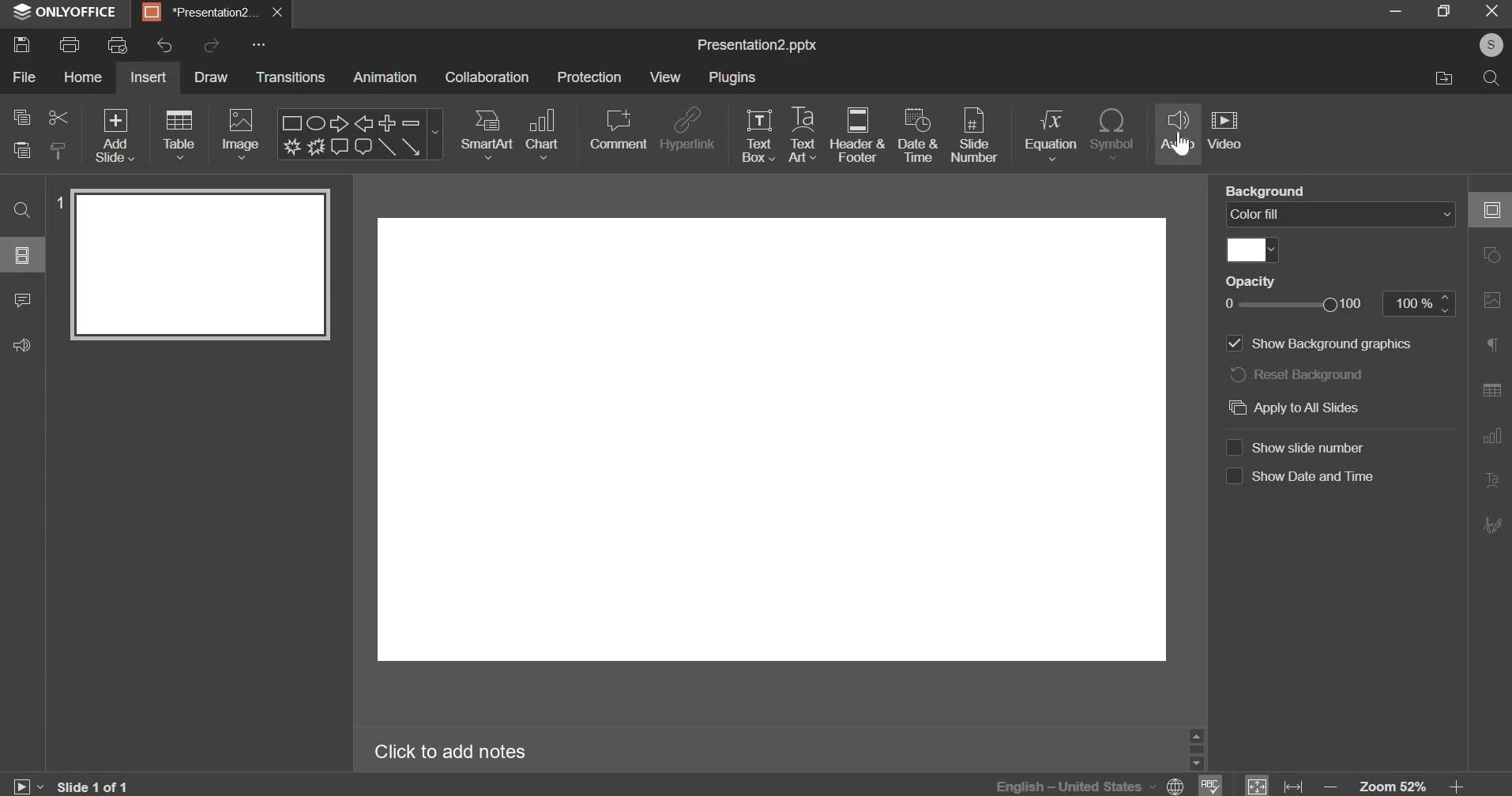 This screenshot has width=1512, height=796. What do you see at coordinates (763, 46) in the screenshot?
I see `presentation2.pptx` at bounding box center [763, 46].